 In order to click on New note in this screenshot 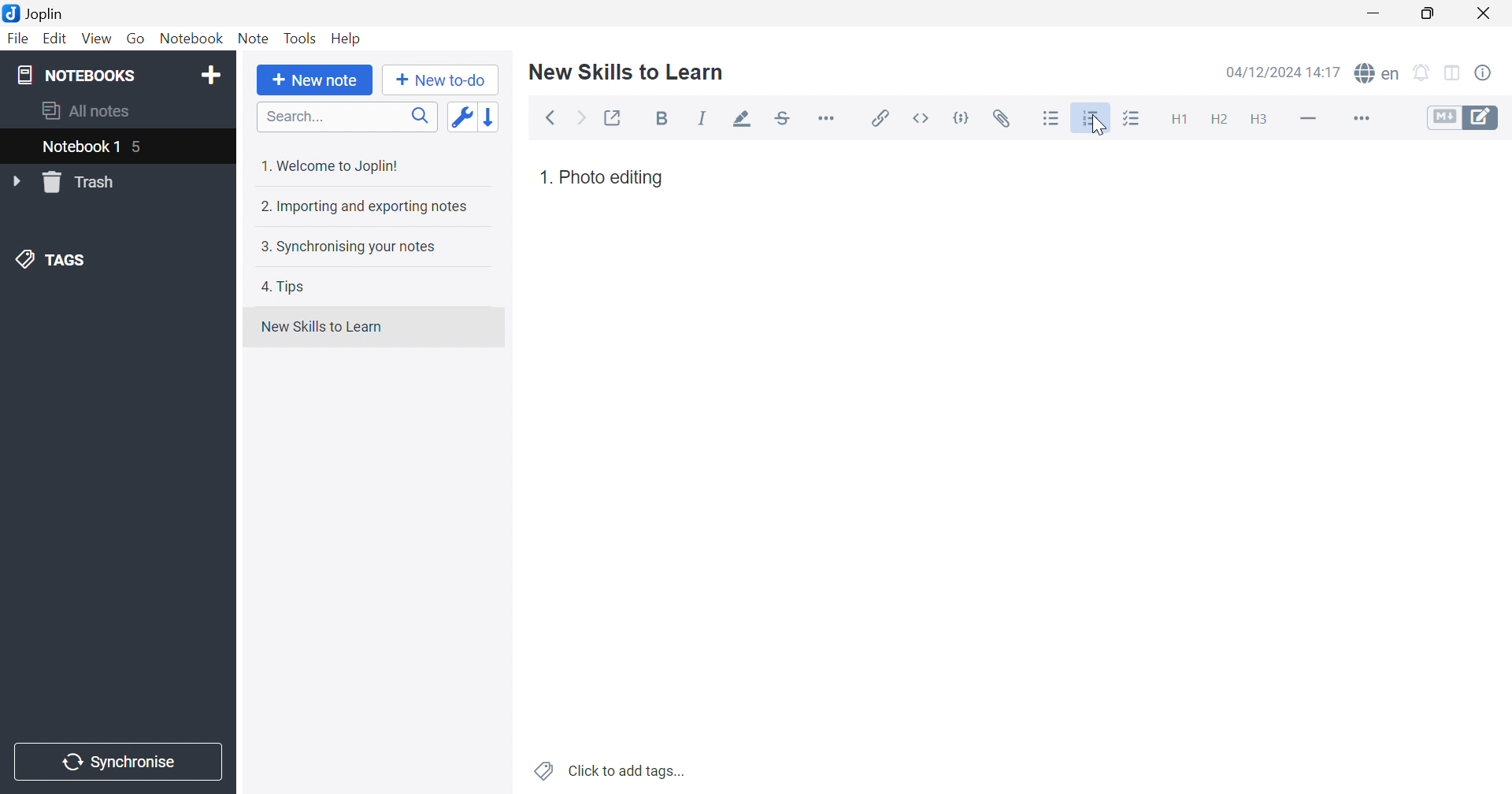, I will do `click(315, 80)`.